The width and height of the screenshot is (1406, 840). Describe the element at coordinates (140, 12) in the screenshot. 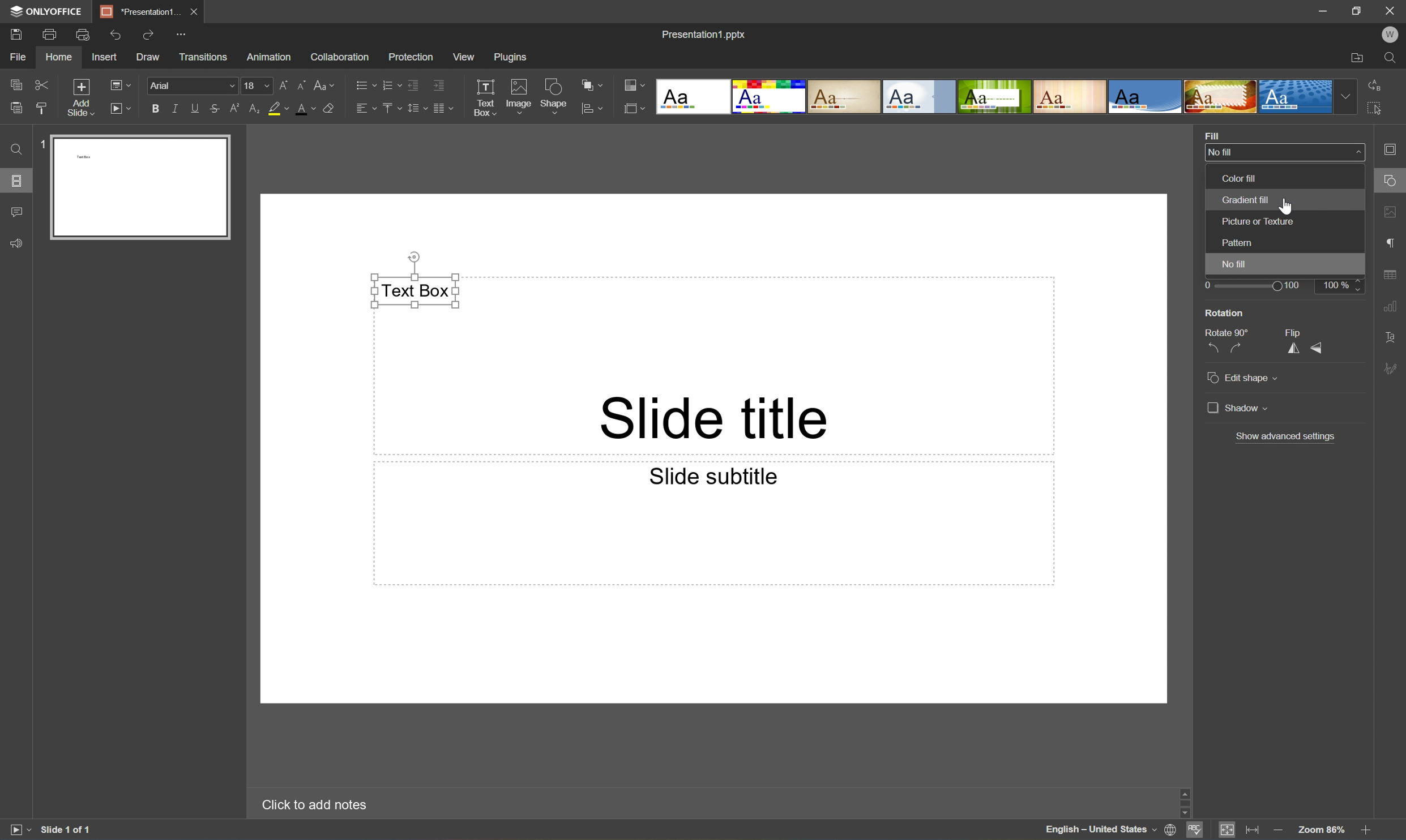

I see `*Presentation1...` at that location.